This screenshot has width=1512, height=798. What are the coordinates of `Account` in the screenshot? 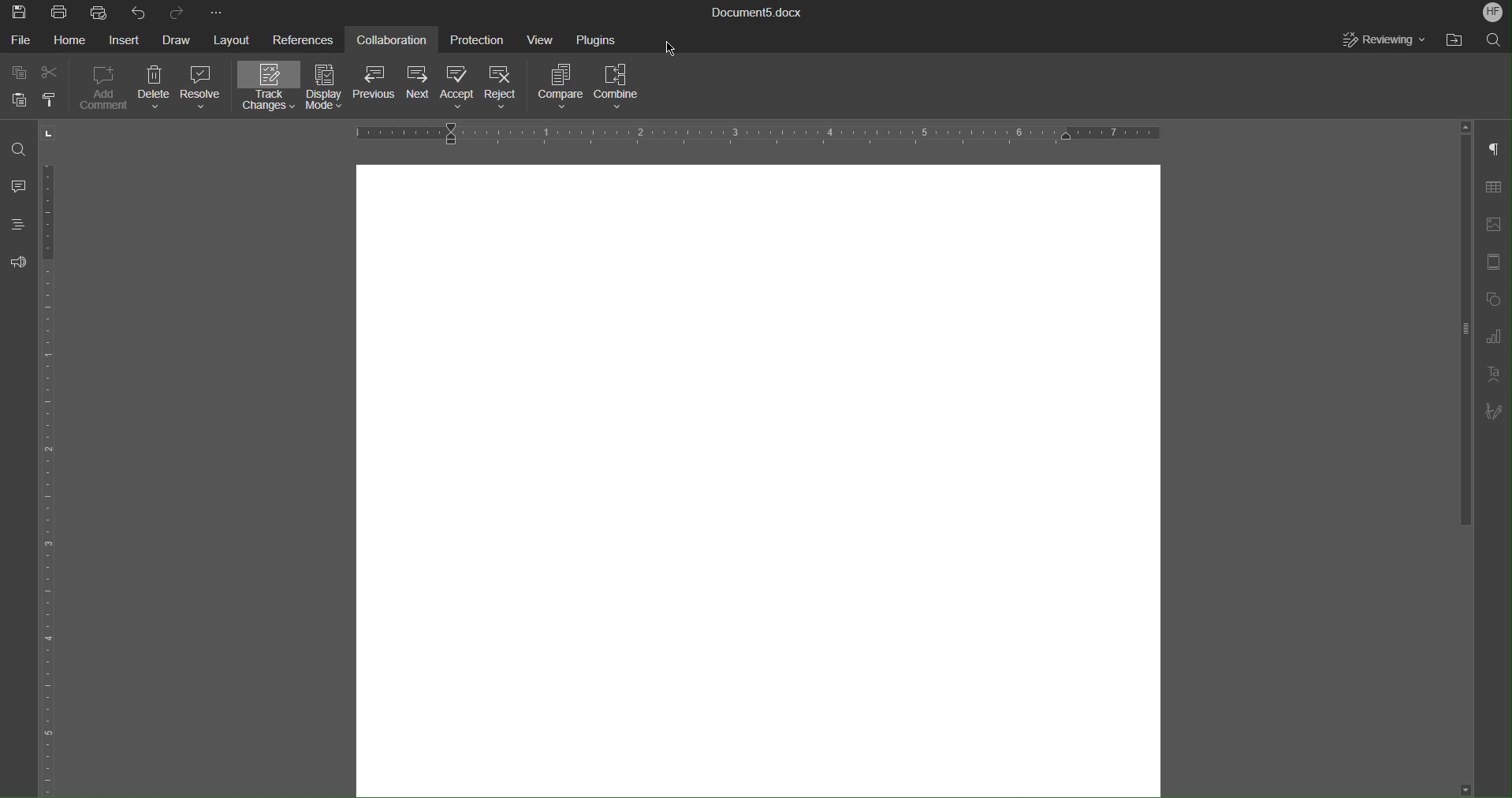 It's located at (1492, 11).